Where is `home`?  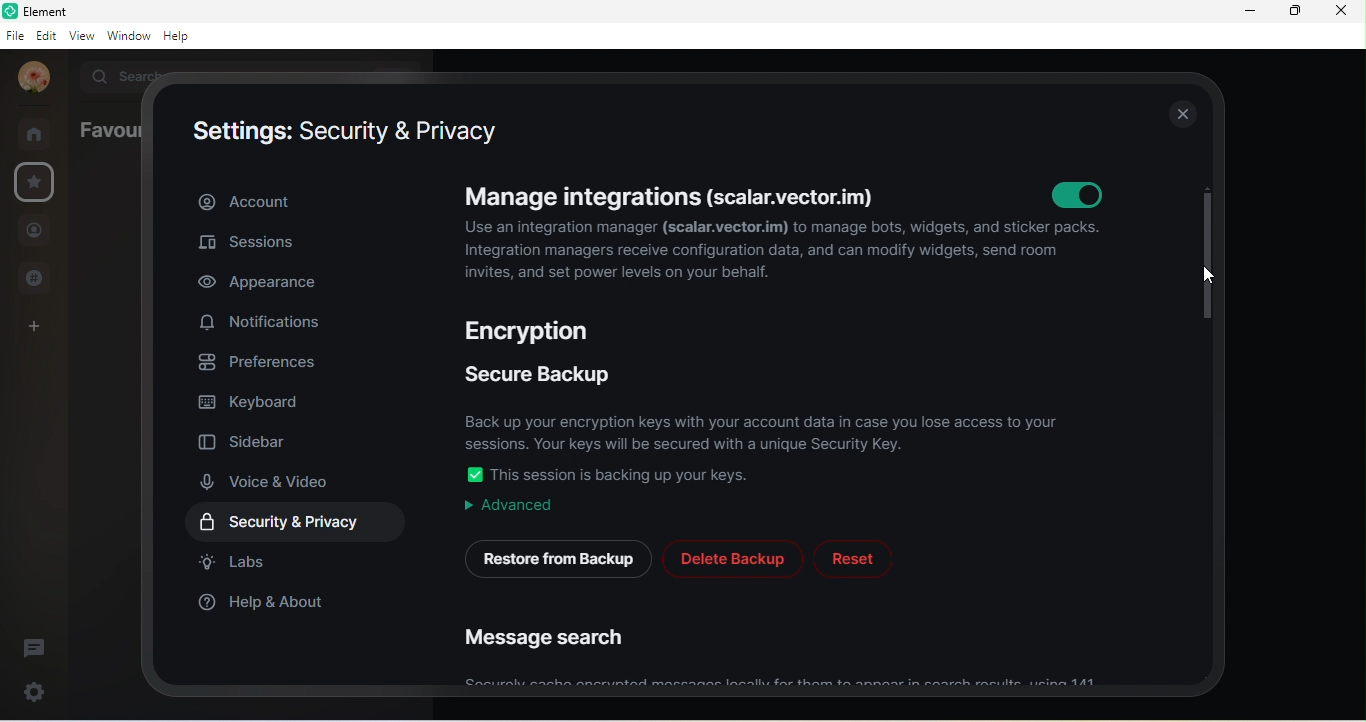 home is located at coordinates (40, 134).